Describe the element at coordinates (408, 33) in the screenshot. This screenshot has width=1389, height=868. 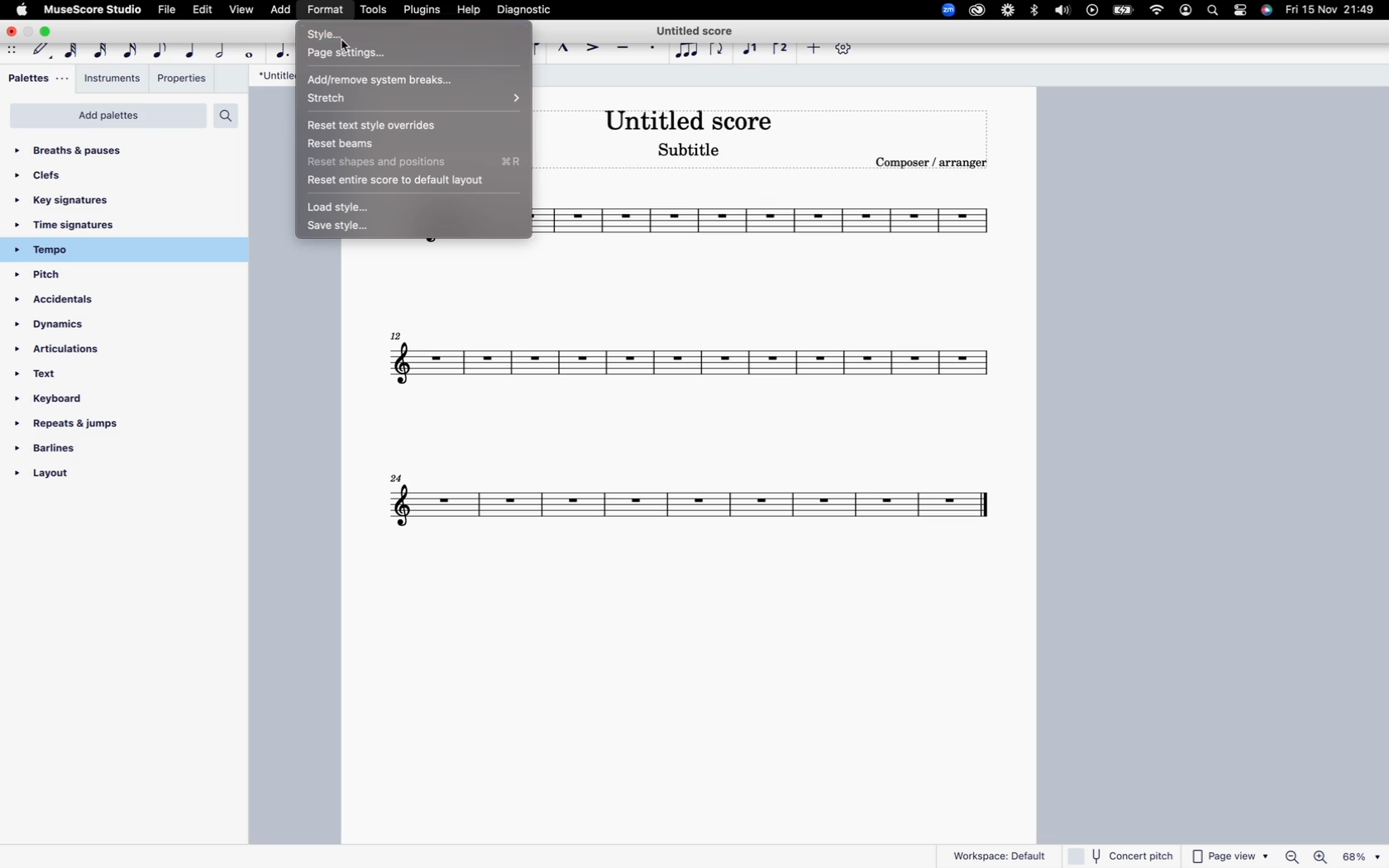
I see `style` at that location.